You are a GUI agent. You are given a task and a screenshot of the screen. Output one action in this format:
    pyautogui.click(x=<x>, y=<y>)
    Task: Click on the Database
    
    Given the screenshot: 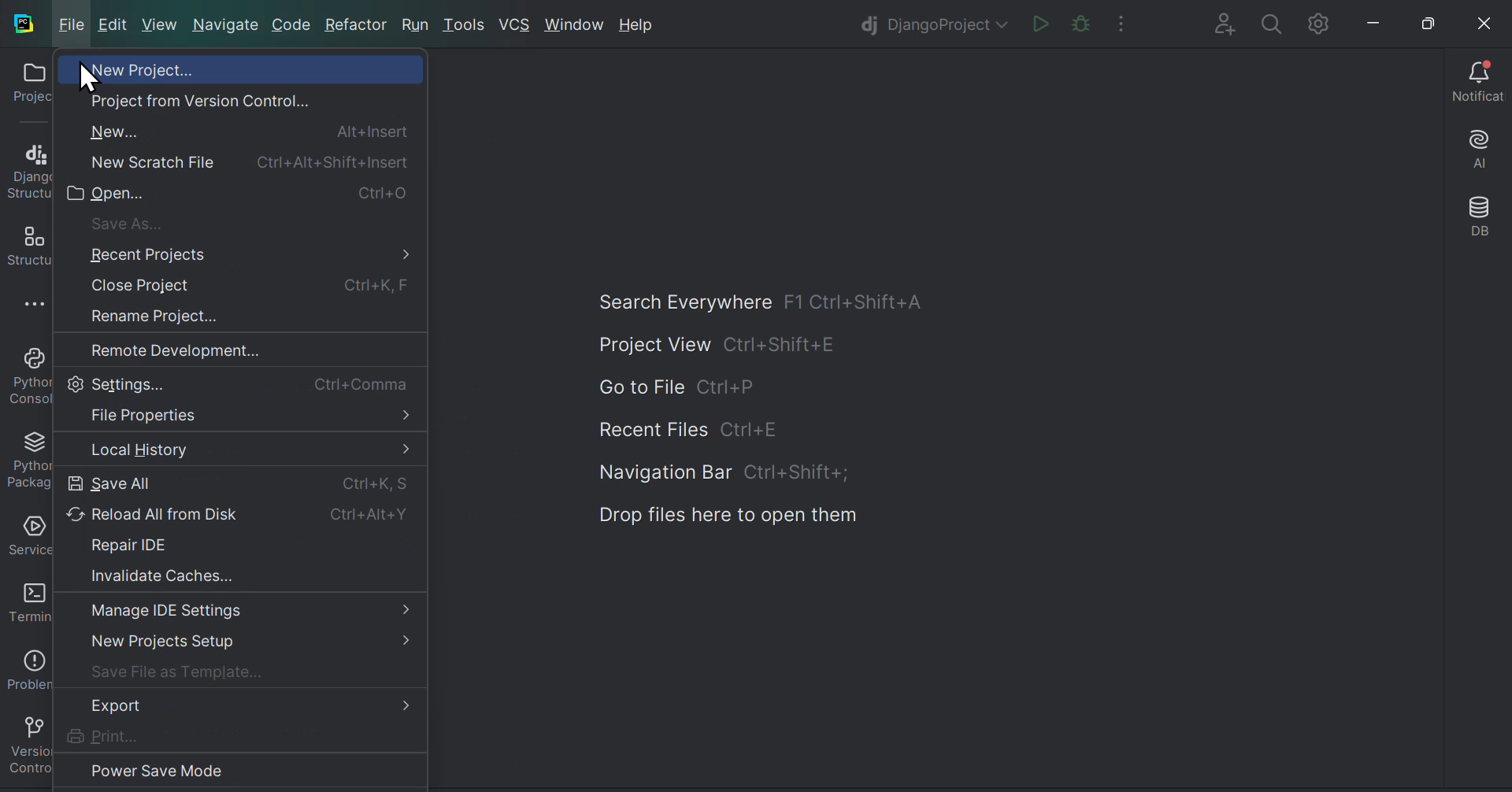 What is the action you would take?
    pyautogui.click(x=1478, y=217)
    